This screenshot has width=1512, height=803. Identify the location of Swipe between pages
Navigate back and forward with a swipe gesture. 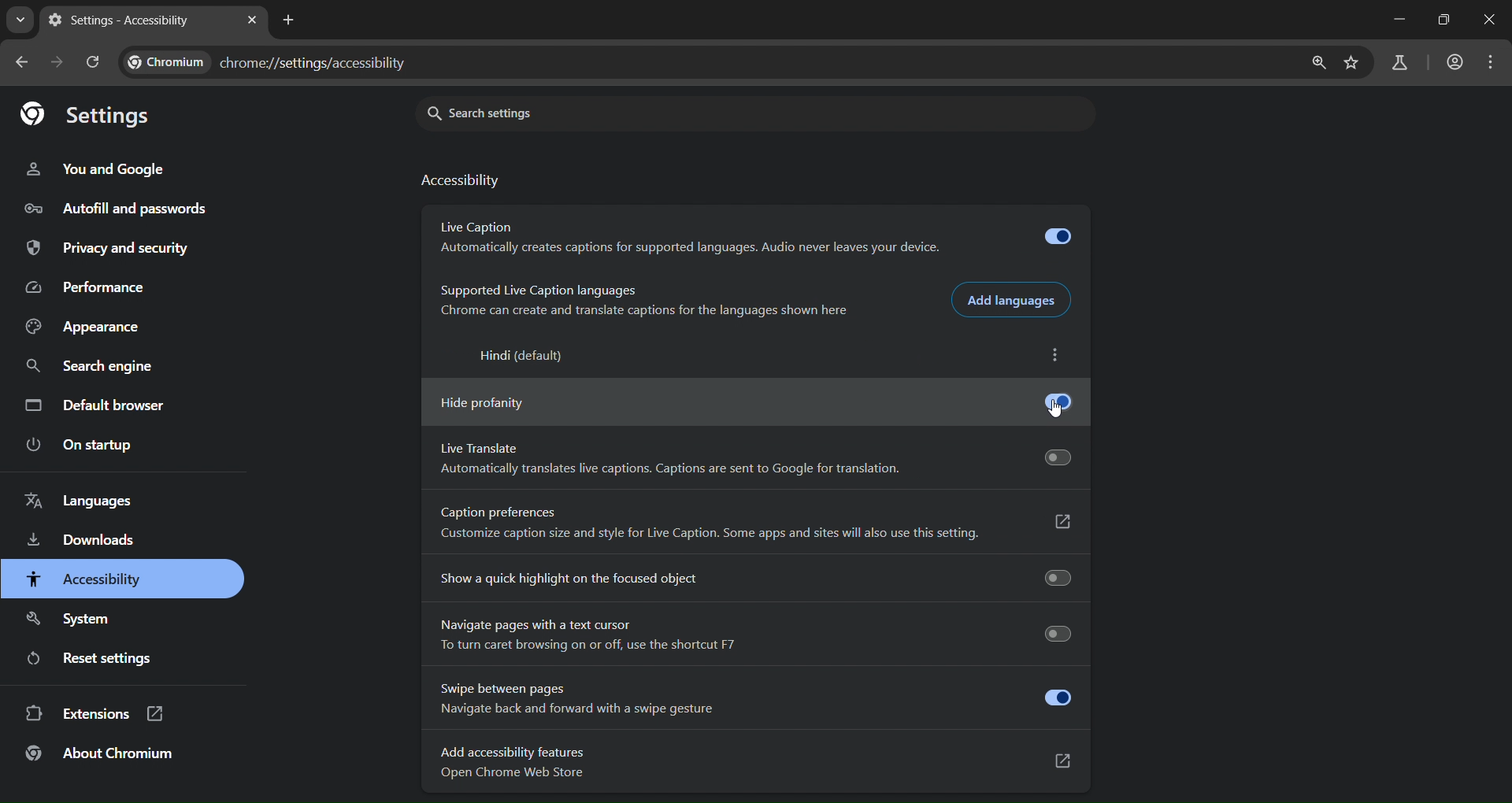
(754, 698).